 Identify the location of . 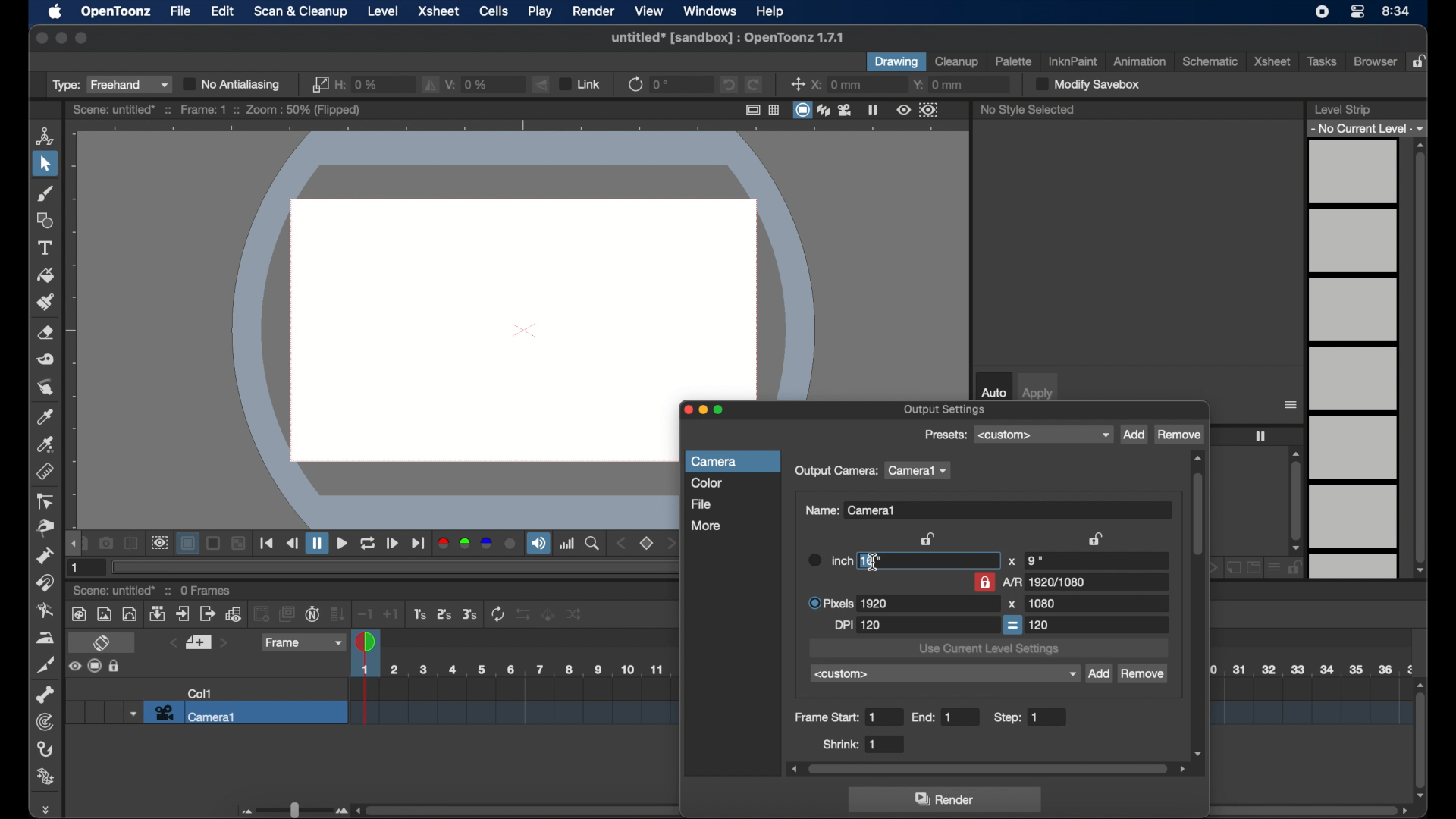
(1235, 569).